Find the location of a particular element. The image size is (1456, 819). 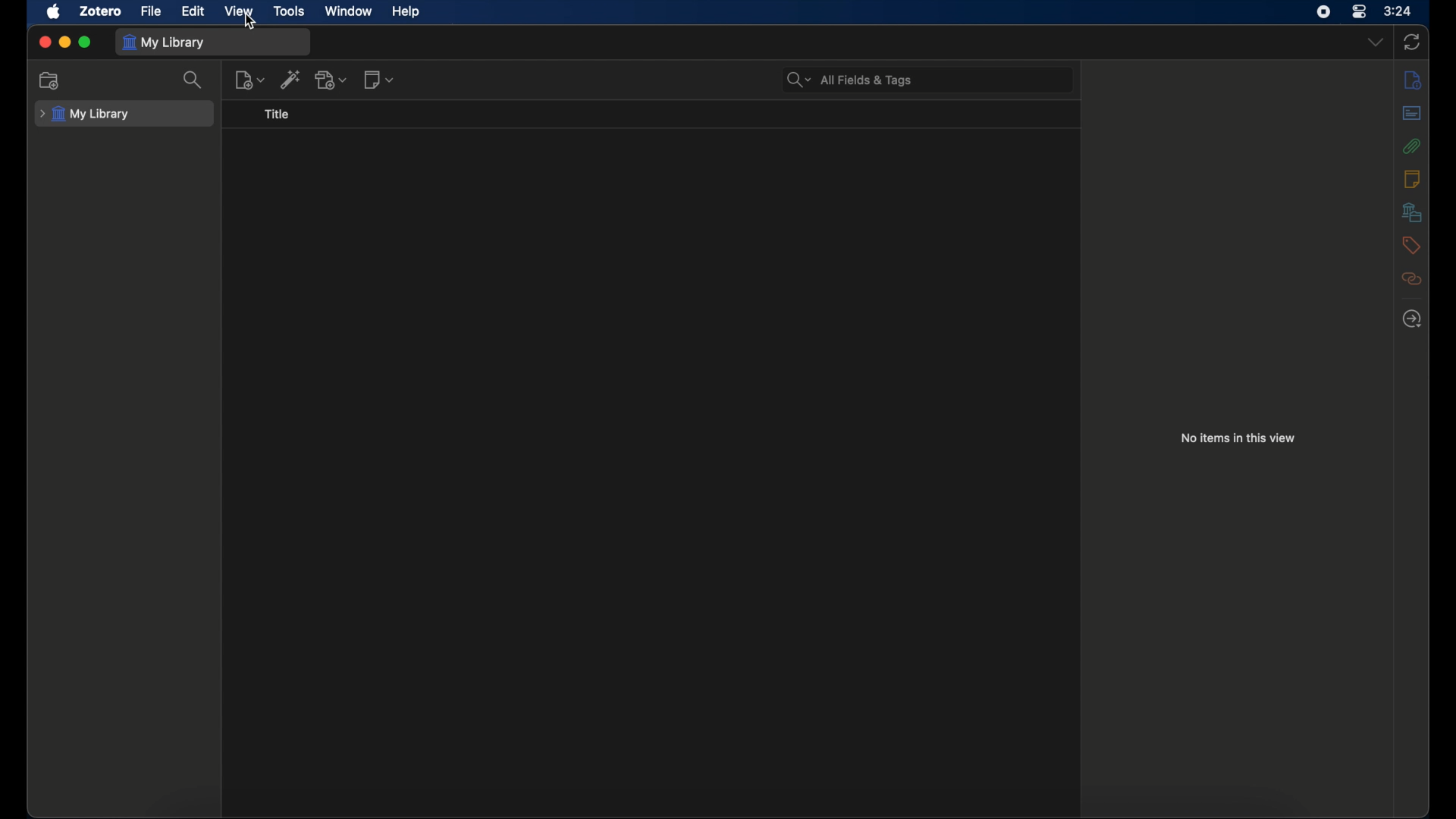

libraries is located at coordinates (1411, 212).